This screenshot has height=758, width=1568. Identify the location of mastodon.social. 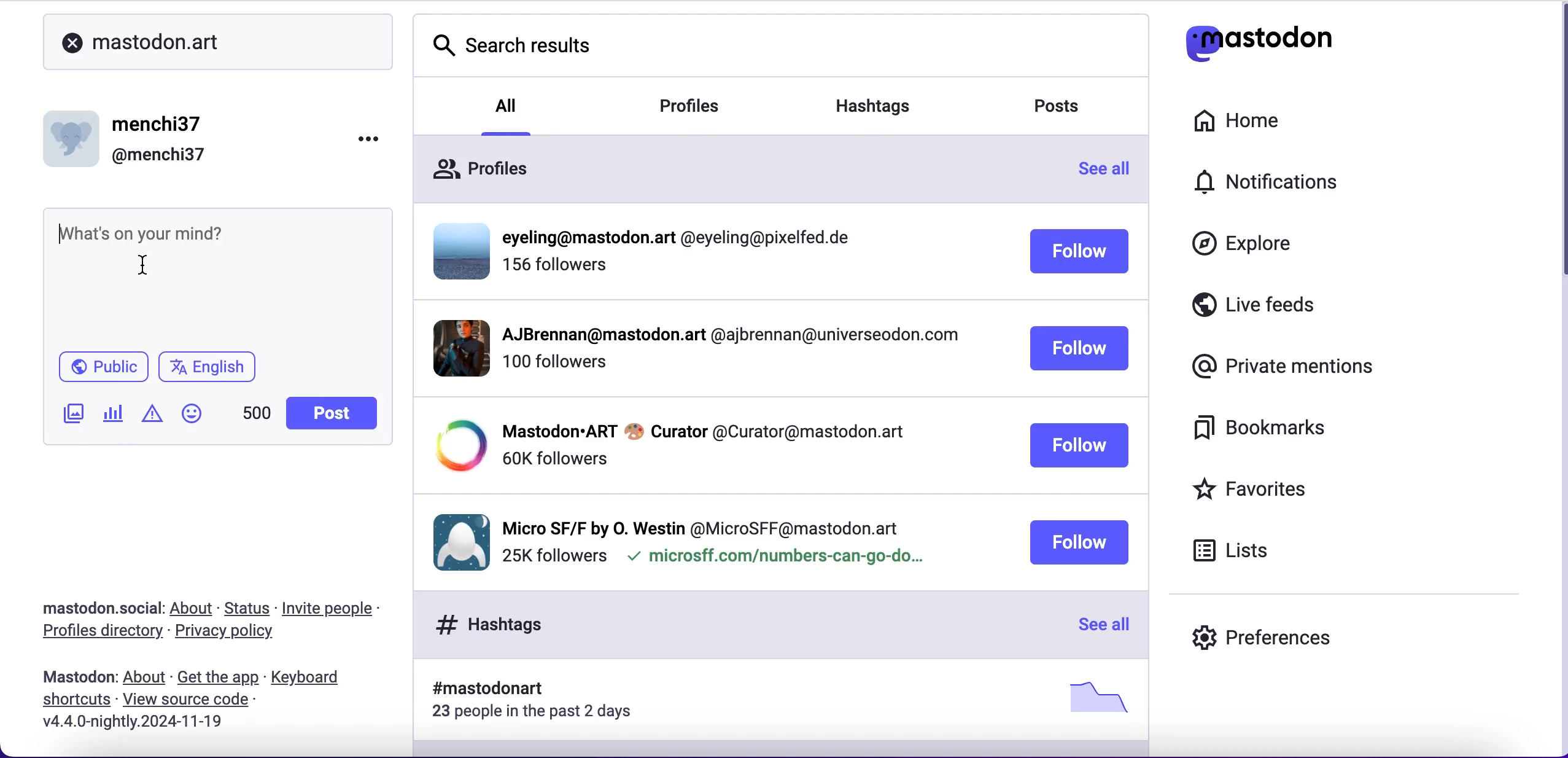
(96, 606).